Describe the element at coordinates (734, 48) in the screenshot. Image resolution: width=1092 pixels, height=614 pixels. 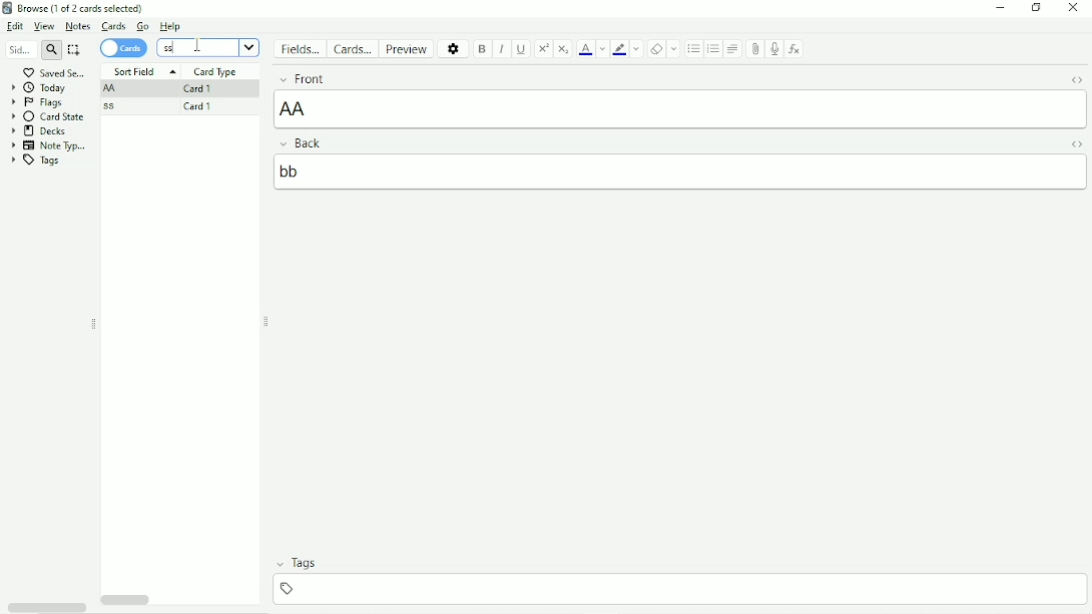
I see `Alignment` at that location.